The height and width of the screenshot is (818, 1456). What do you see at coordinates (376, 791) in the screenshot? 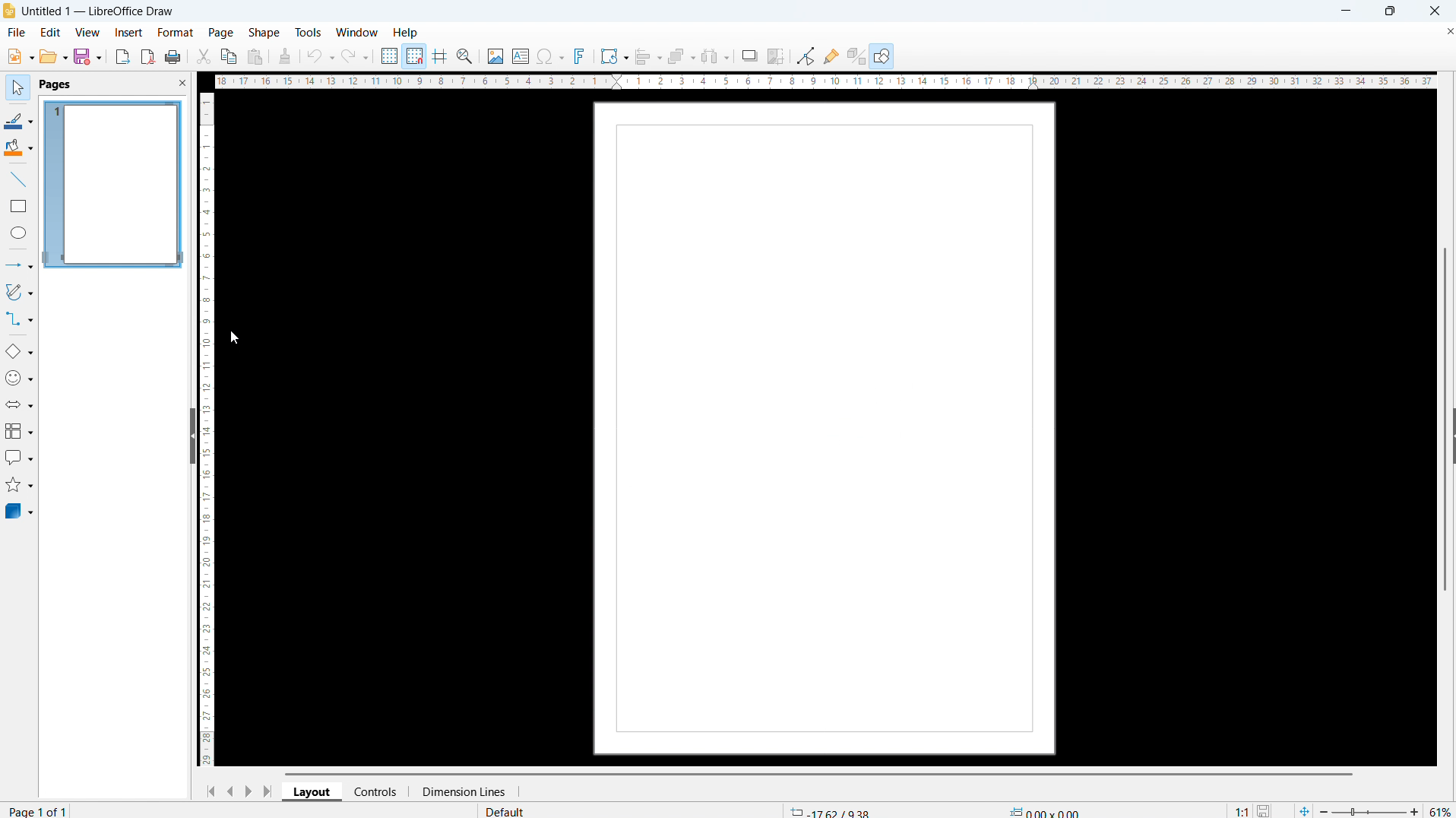
I see `controls` at bounding box center [376, 791].